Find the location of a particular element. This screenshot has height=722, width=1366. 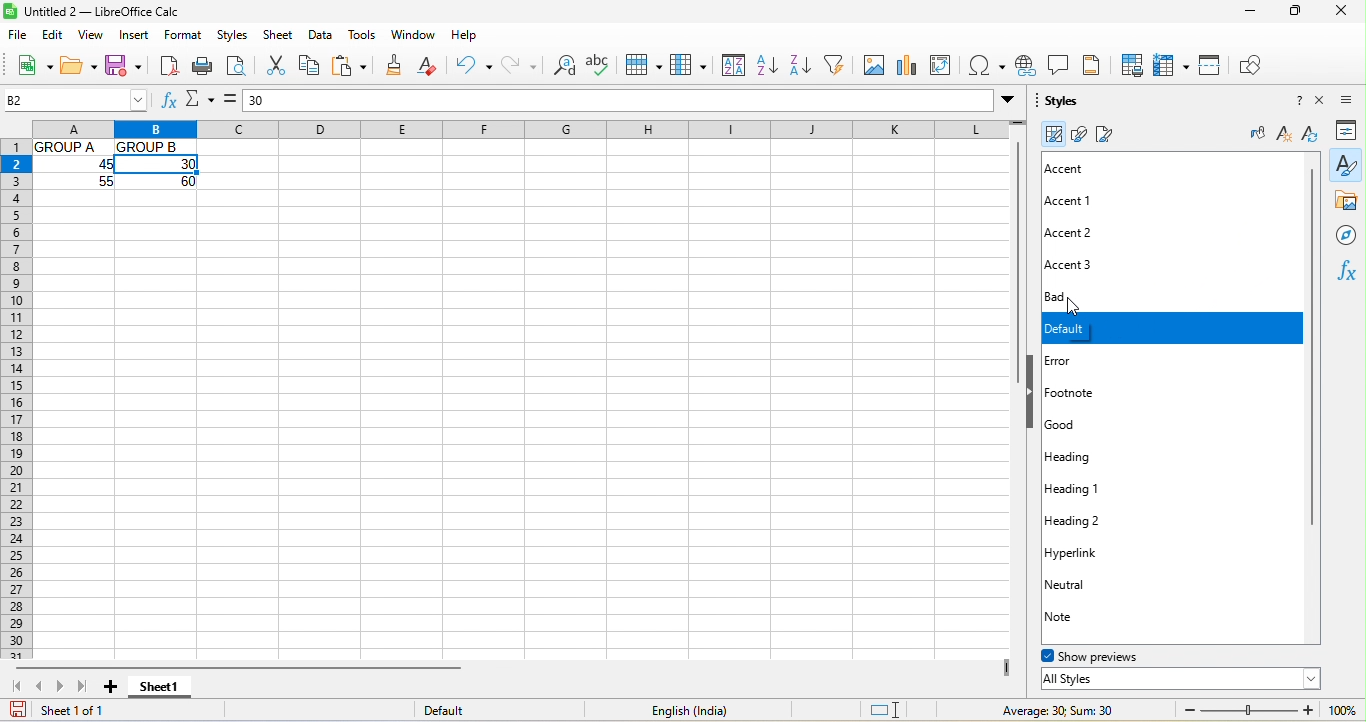

zoom is located at coordinates (1245, 709).